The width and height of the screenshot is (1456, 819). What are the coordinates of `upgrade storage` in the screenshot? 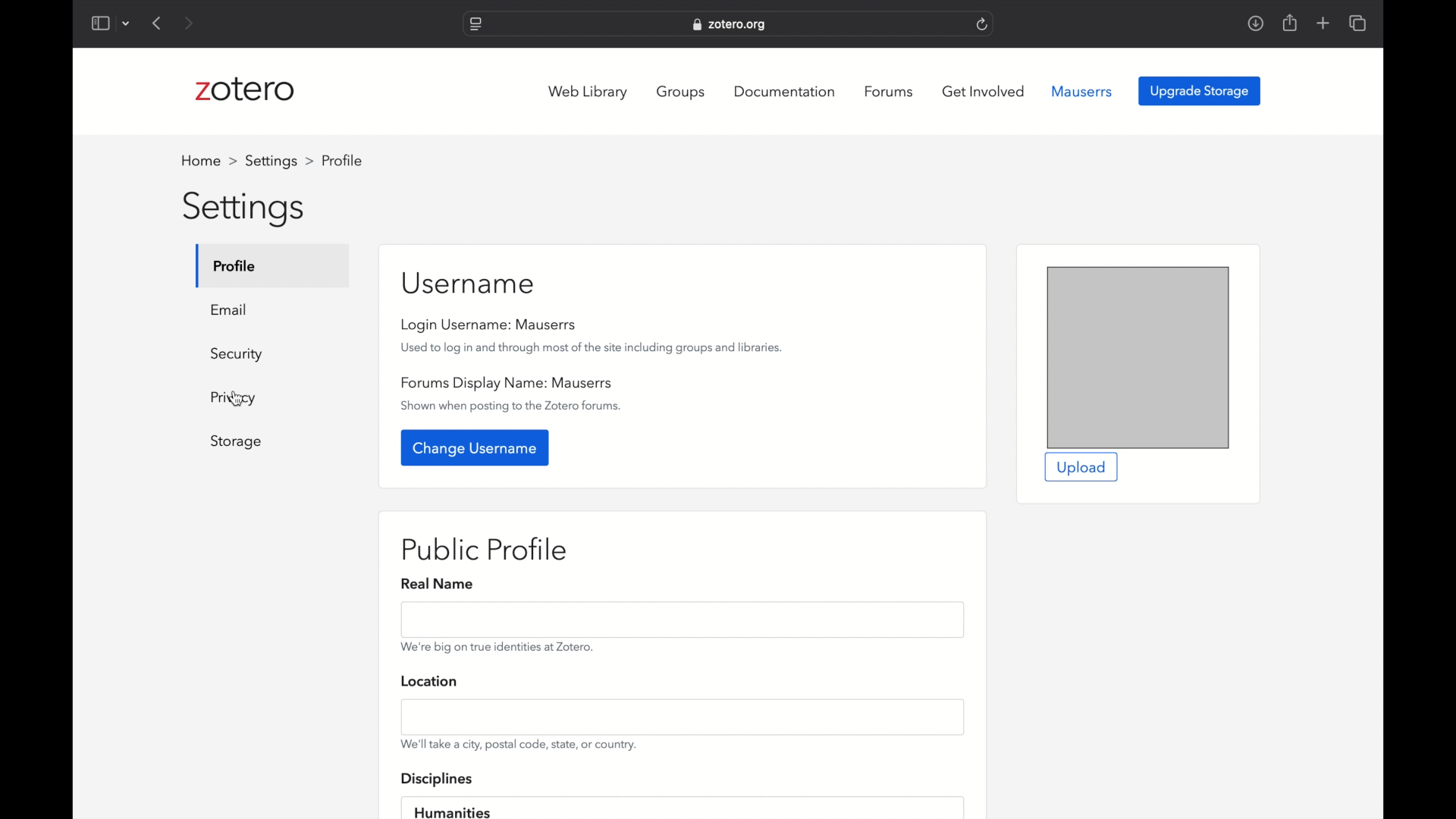 It's located at (1200, 92).